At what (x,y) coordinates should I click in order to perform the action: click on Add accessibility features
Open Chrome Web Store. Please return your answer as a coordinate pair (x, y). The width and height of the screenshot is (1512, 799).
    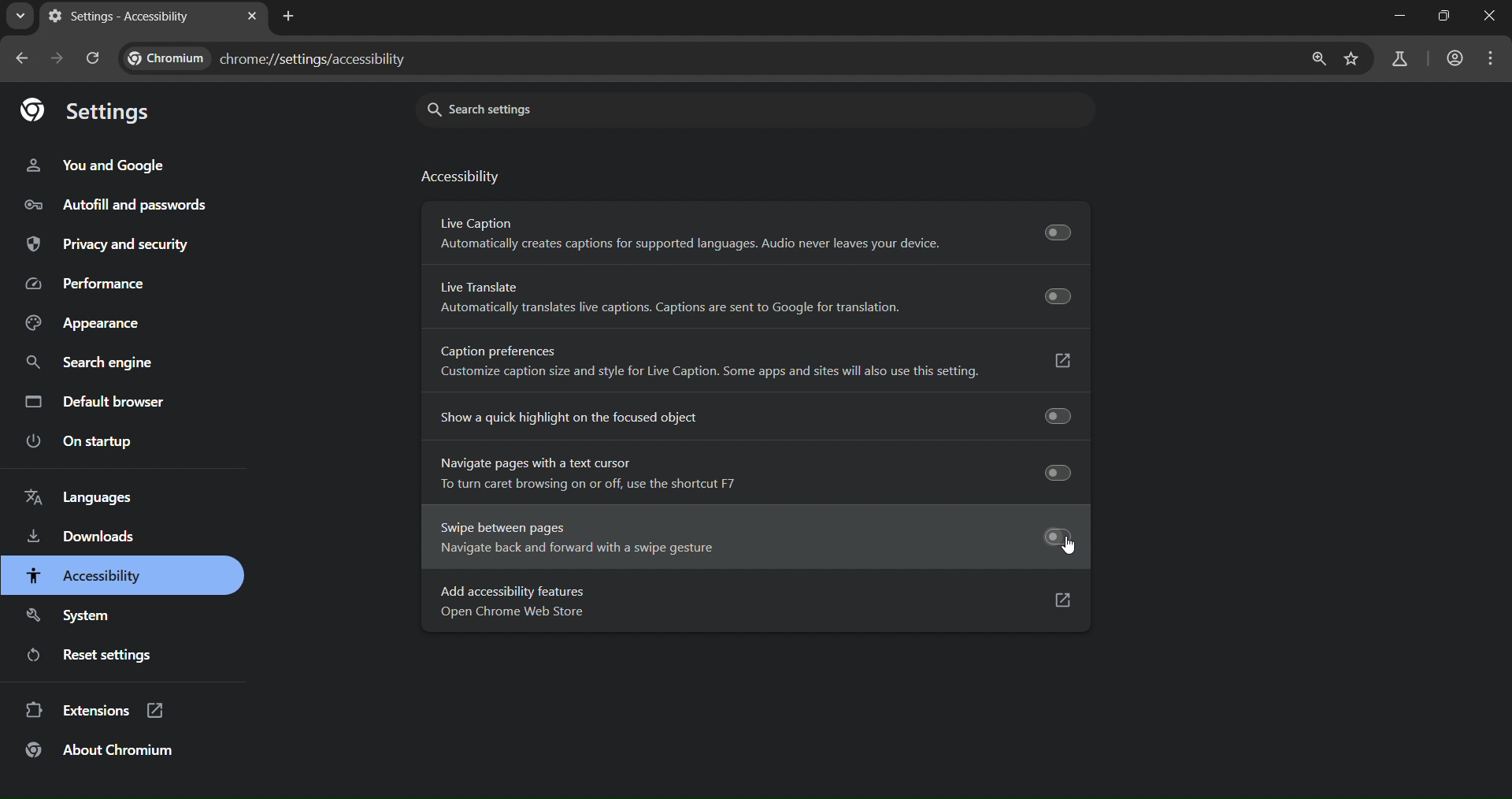
    Looking at the image, I should click on (747, 602).